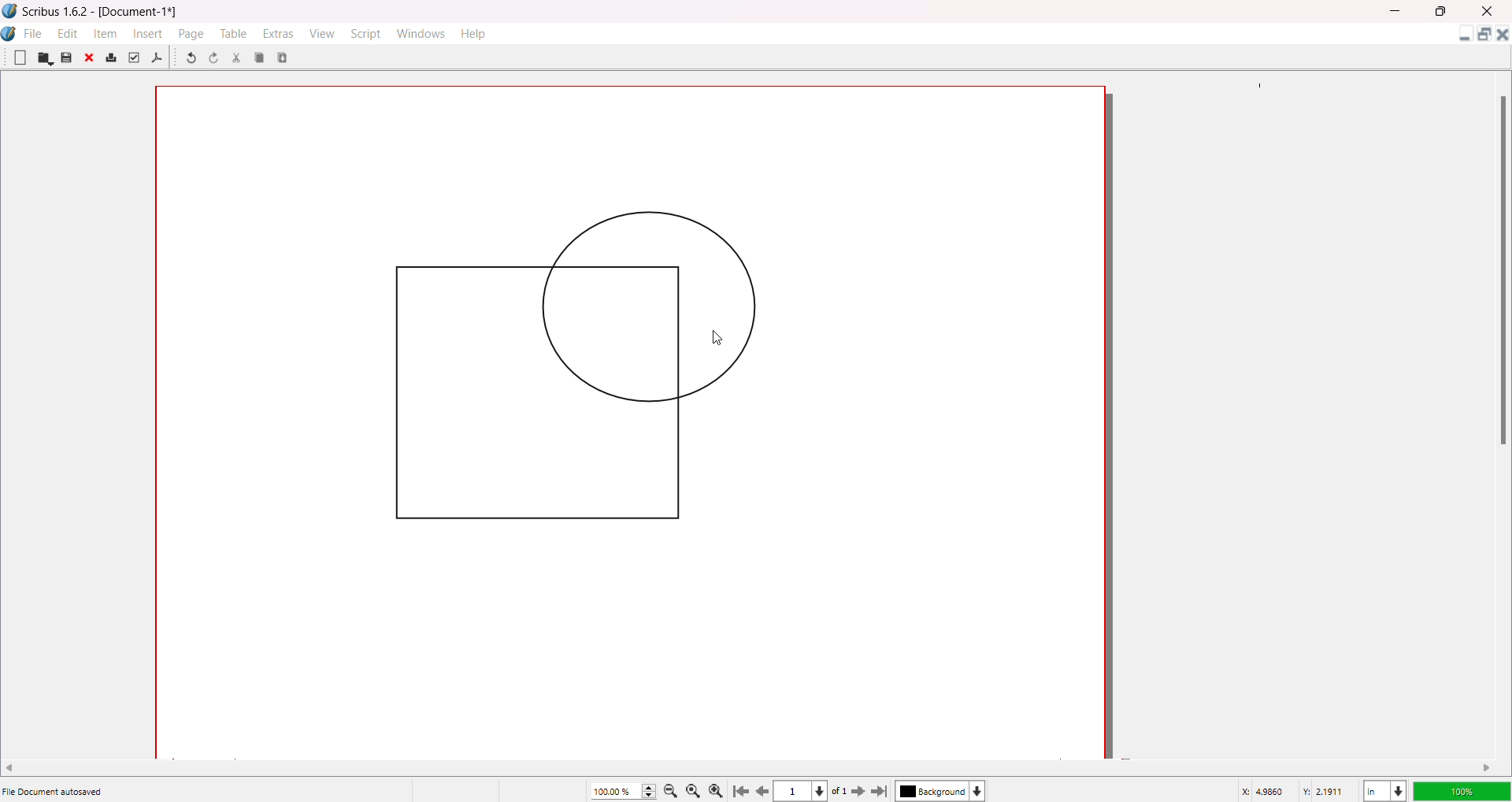  What do you see at coordinates (719, 789) in the screenshot?
I see `Zoom in` at bounding box center [719, 789].